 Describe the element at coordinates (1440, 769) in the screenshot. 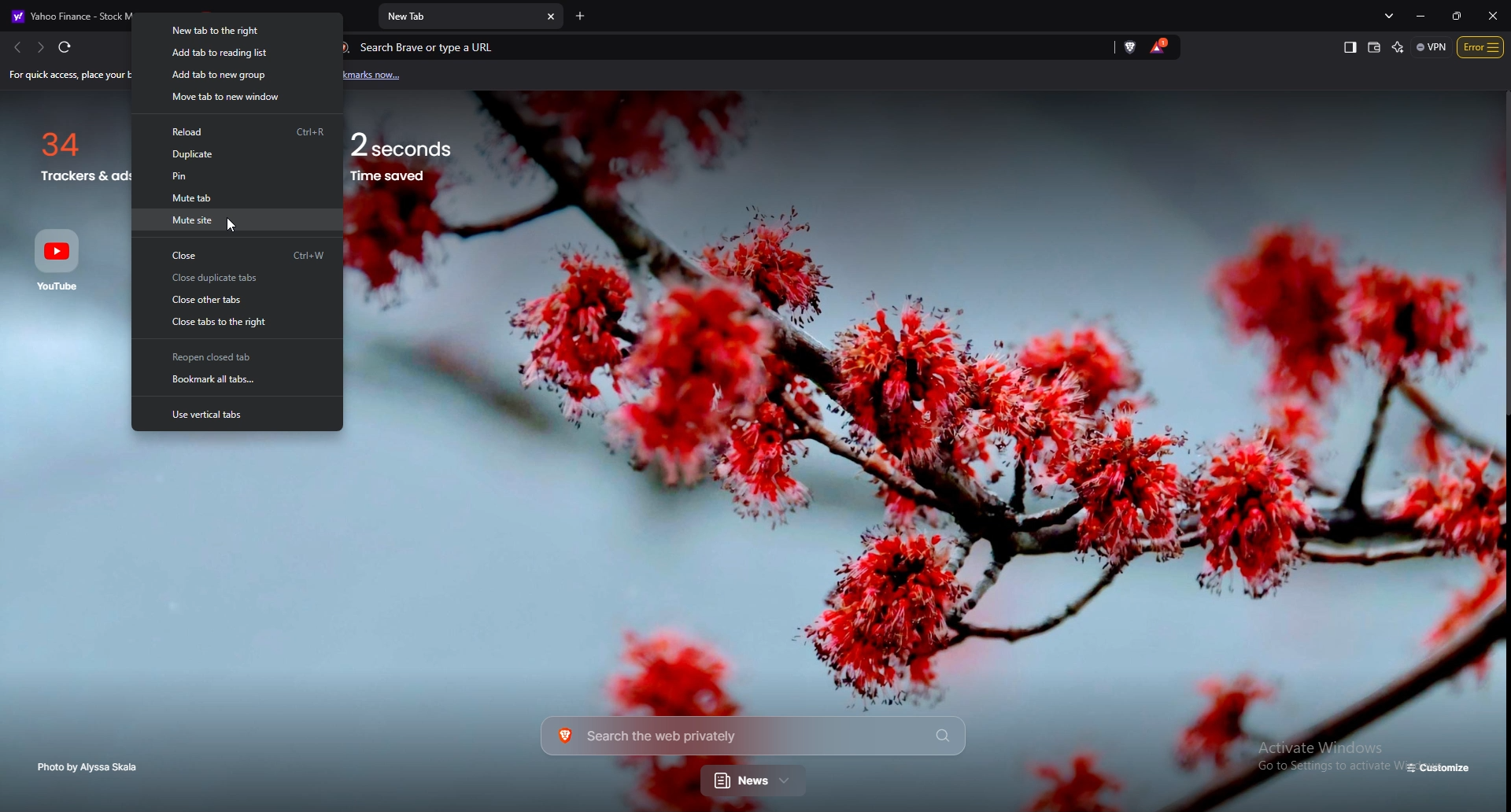

I see `customize` at that location.